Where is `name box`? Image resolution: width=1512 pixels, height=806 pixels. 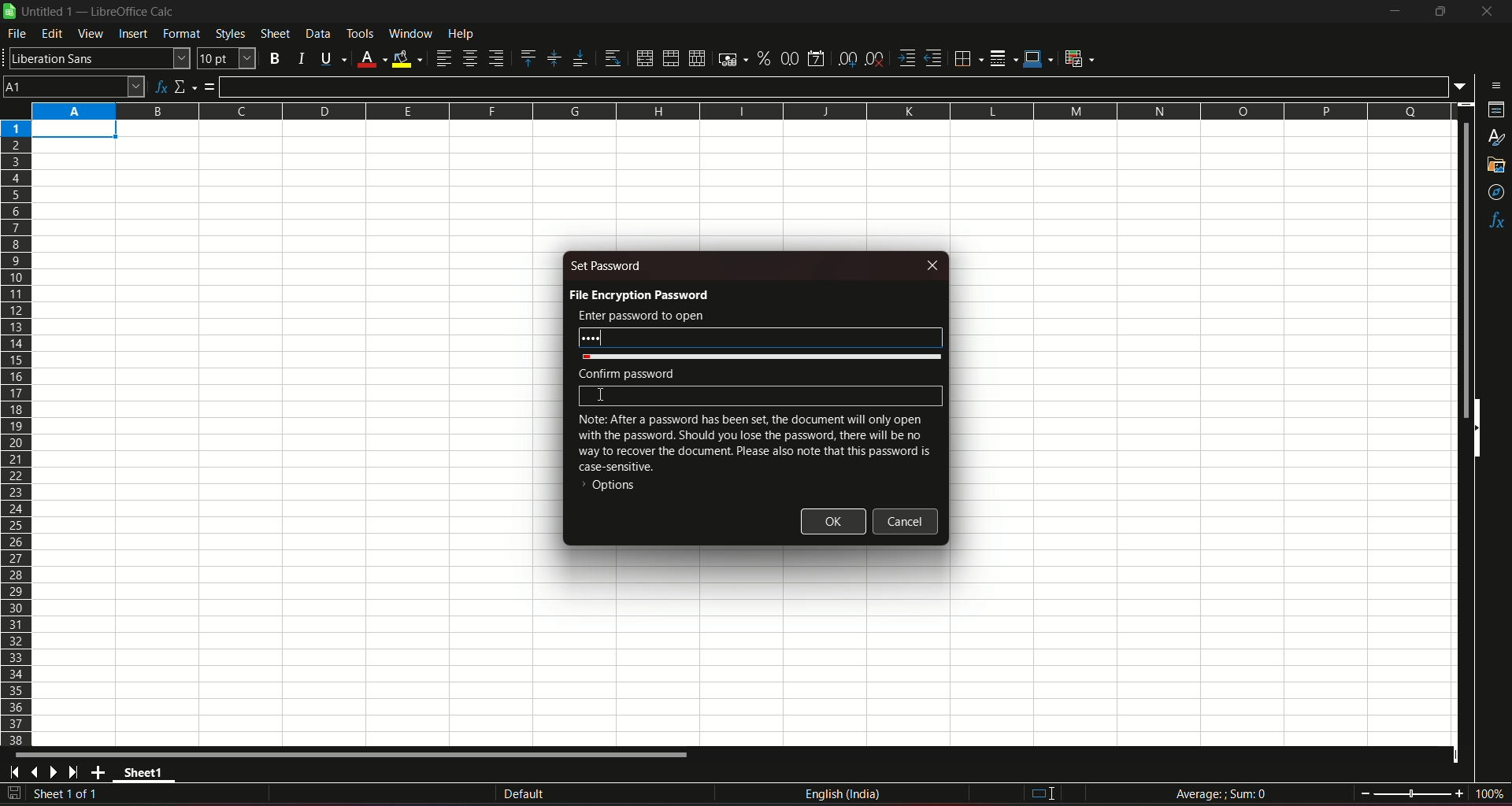 name box is located at coordinates (74, 86).